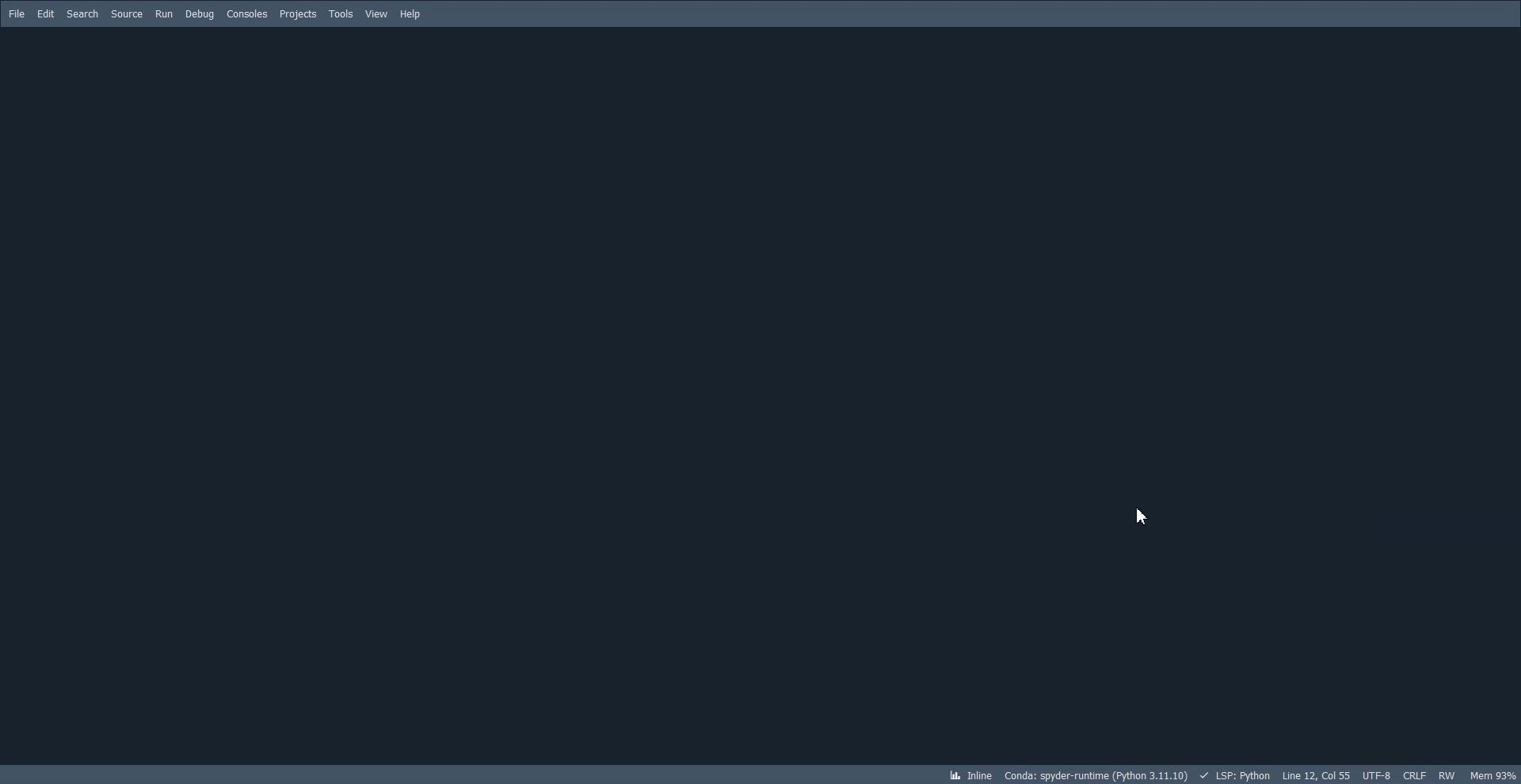 The width and height of the screenshot is (1521, 784). What do you see at coordinates (1401, 774) in the screenshot?
I see `Line 12, Col 55, UTF-8 CRLF RW Mem 93%` at bounding box center [1401, 774].